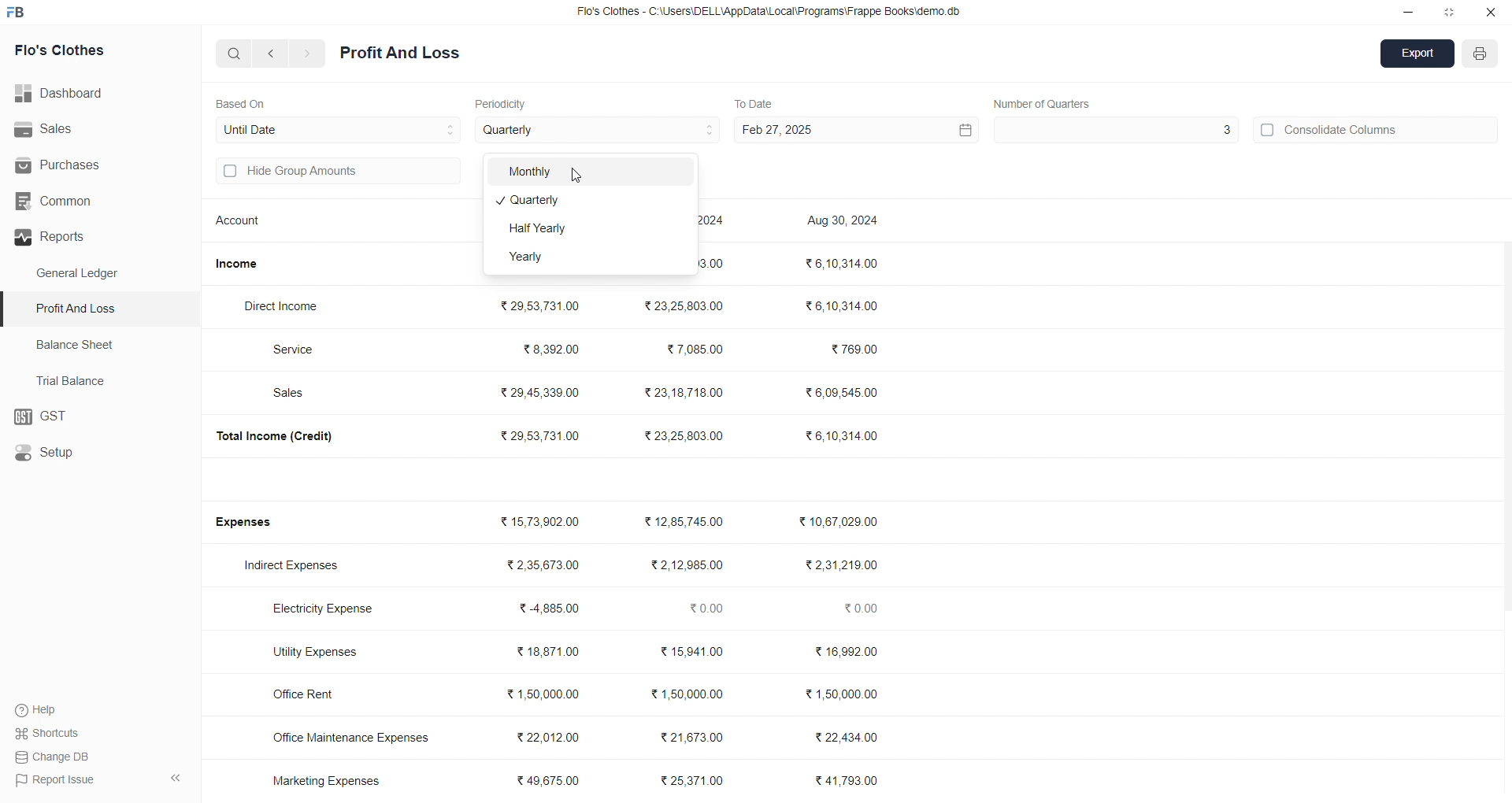 The height and width of the screenshot is (803, 1512). Describe the element at coordinates (589, 230) in the screenshot. I see `half yearly` at that location.